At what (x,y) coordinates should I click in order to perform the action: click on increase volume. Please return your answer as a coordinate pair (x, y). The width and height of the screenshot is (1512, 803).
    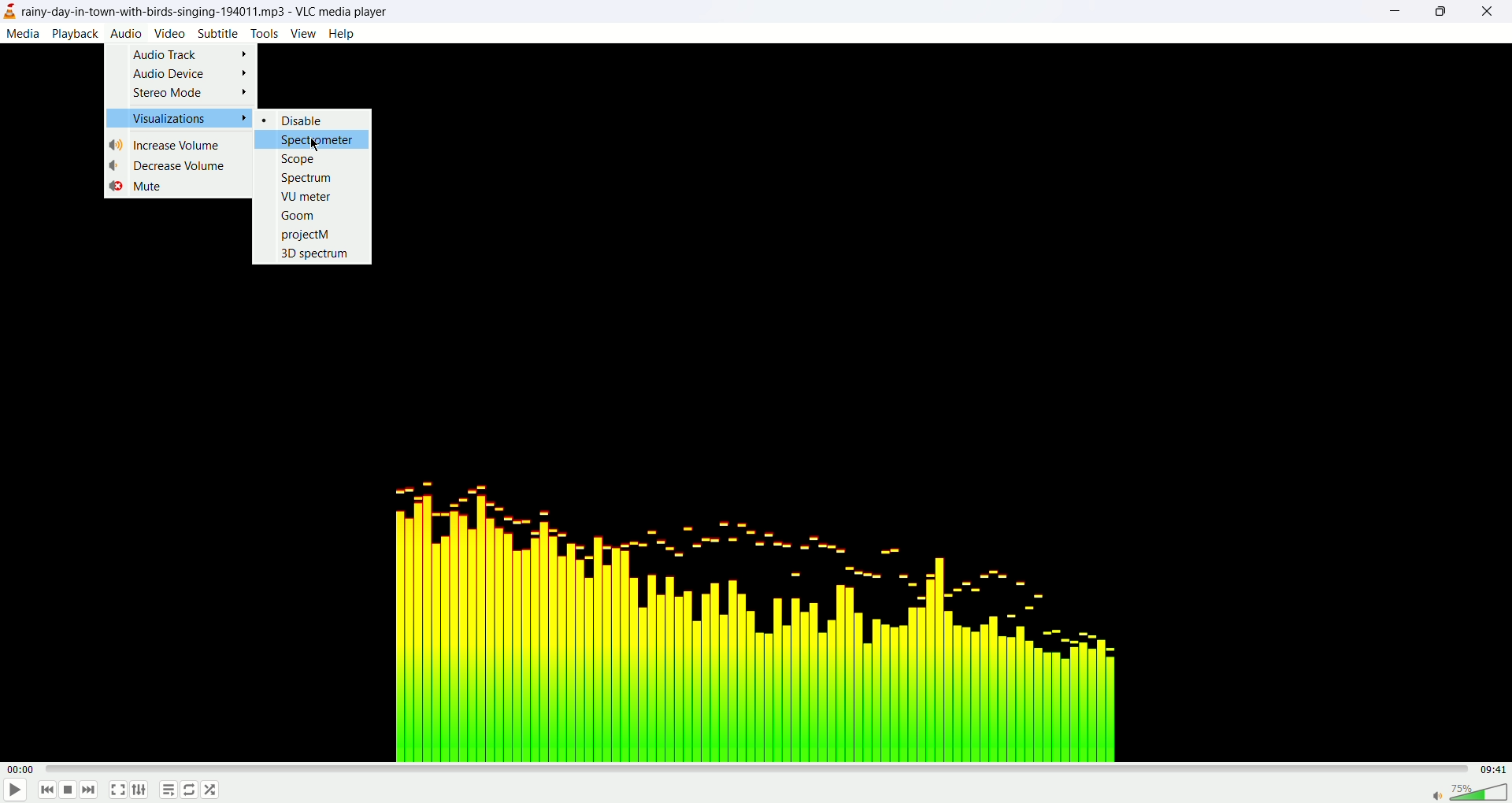
    Looking at the image, I should click on (169, 145).